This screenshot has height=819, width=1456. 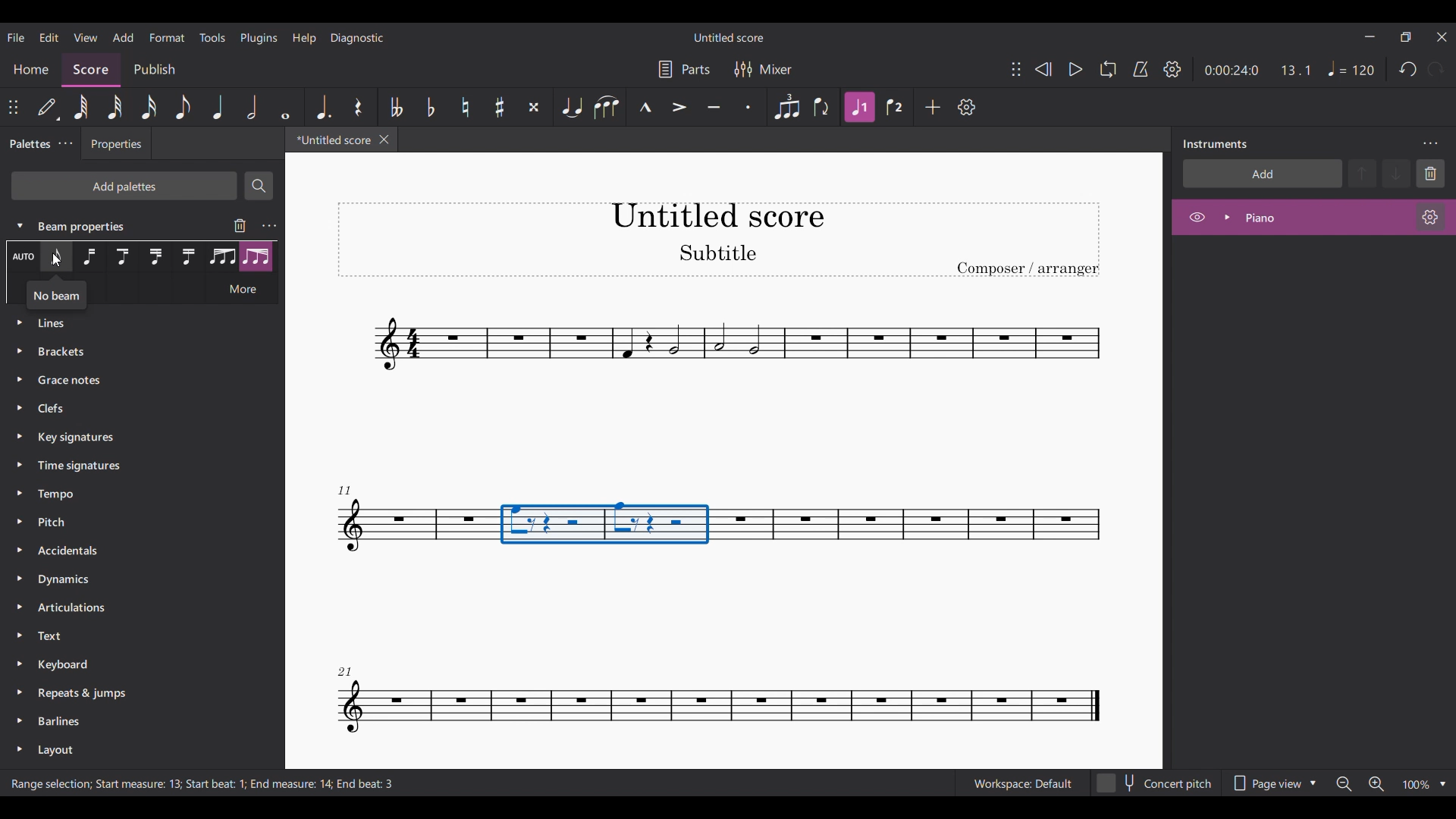 I want to click on Add palette, so click(x=124, y=186).